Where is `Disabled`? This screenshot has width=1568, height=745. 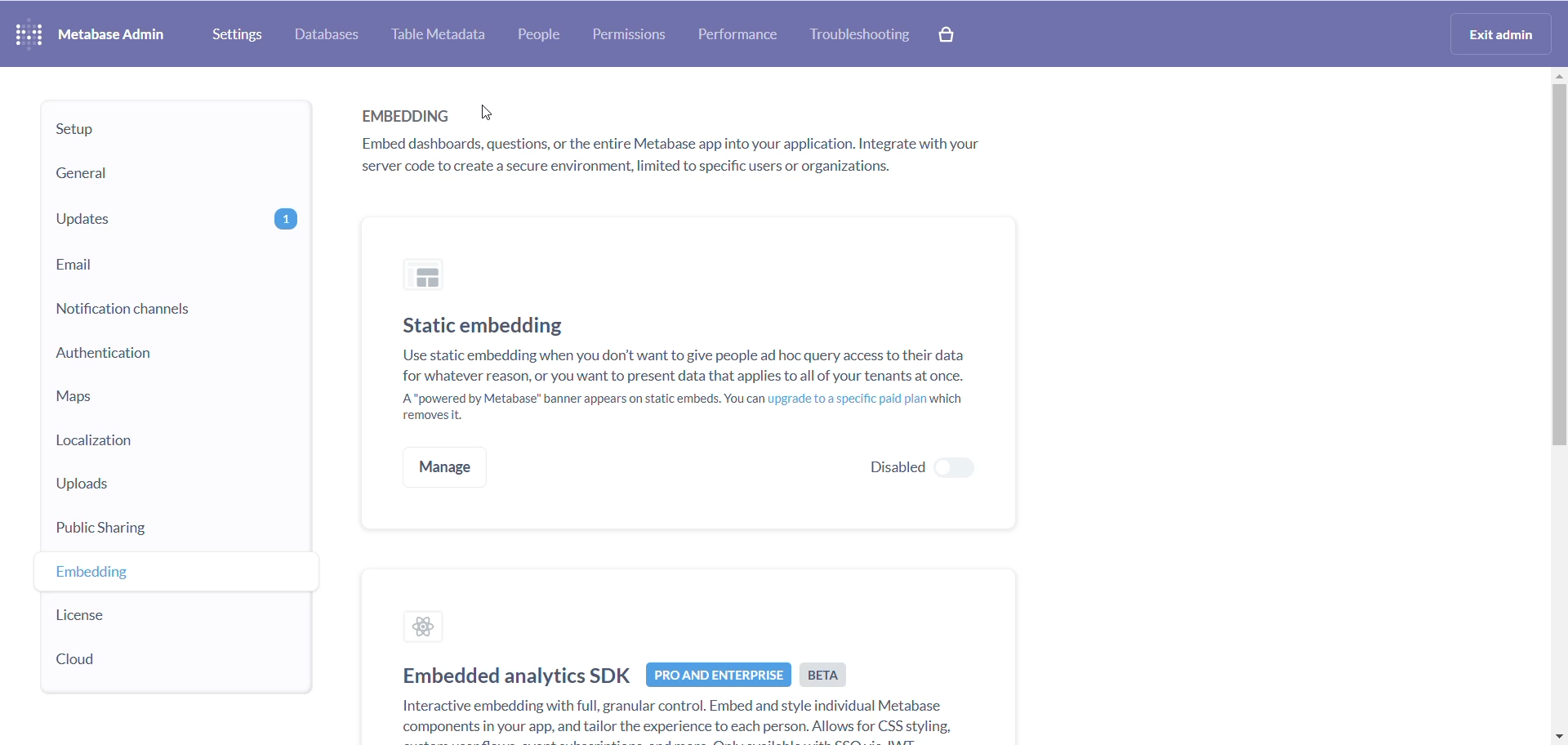 Disabled is located at coordinates (911, 467).